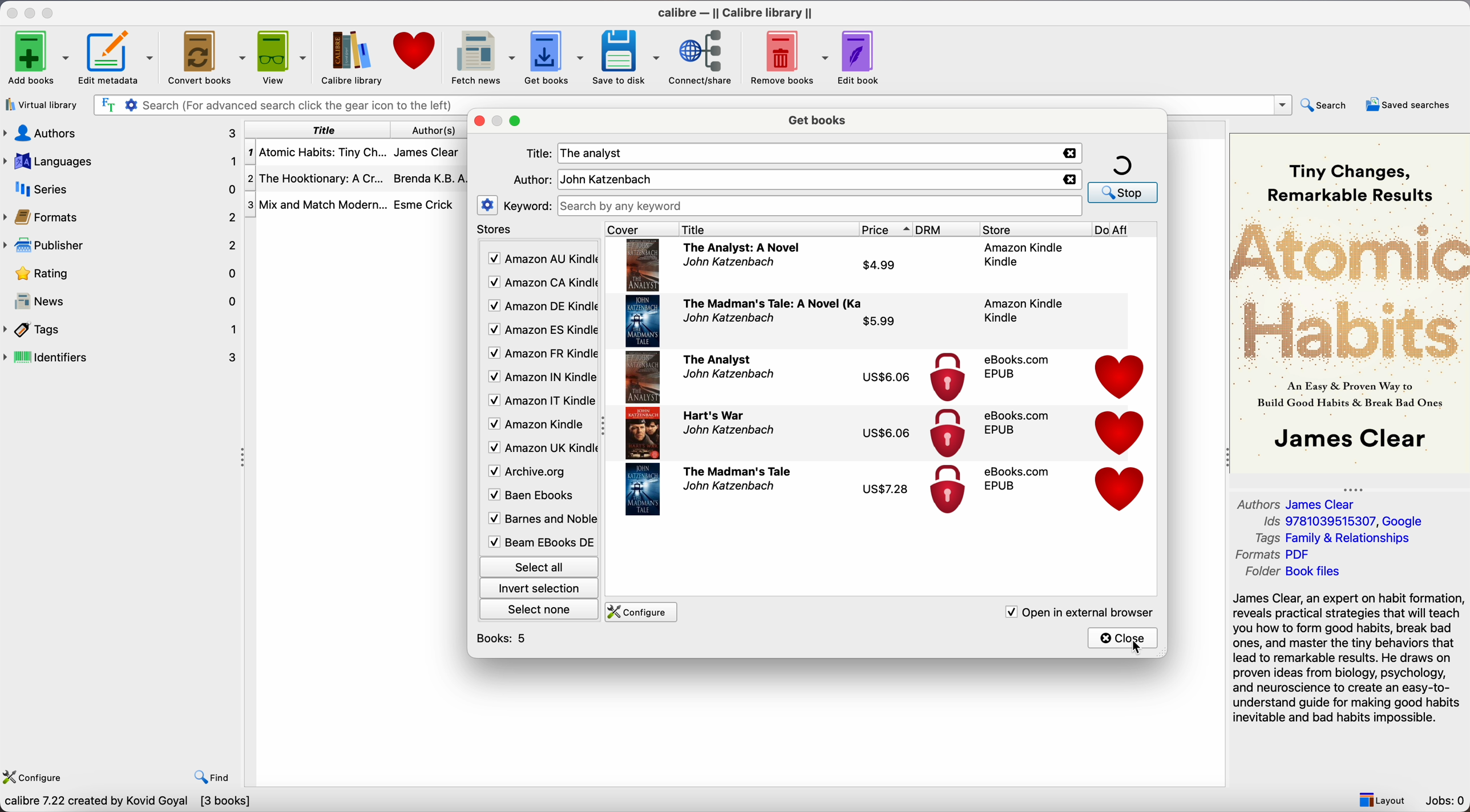  What do you see at coordinates (860, 56) in the screenshot?
I see `edit book` at bounding box center [860, 56].